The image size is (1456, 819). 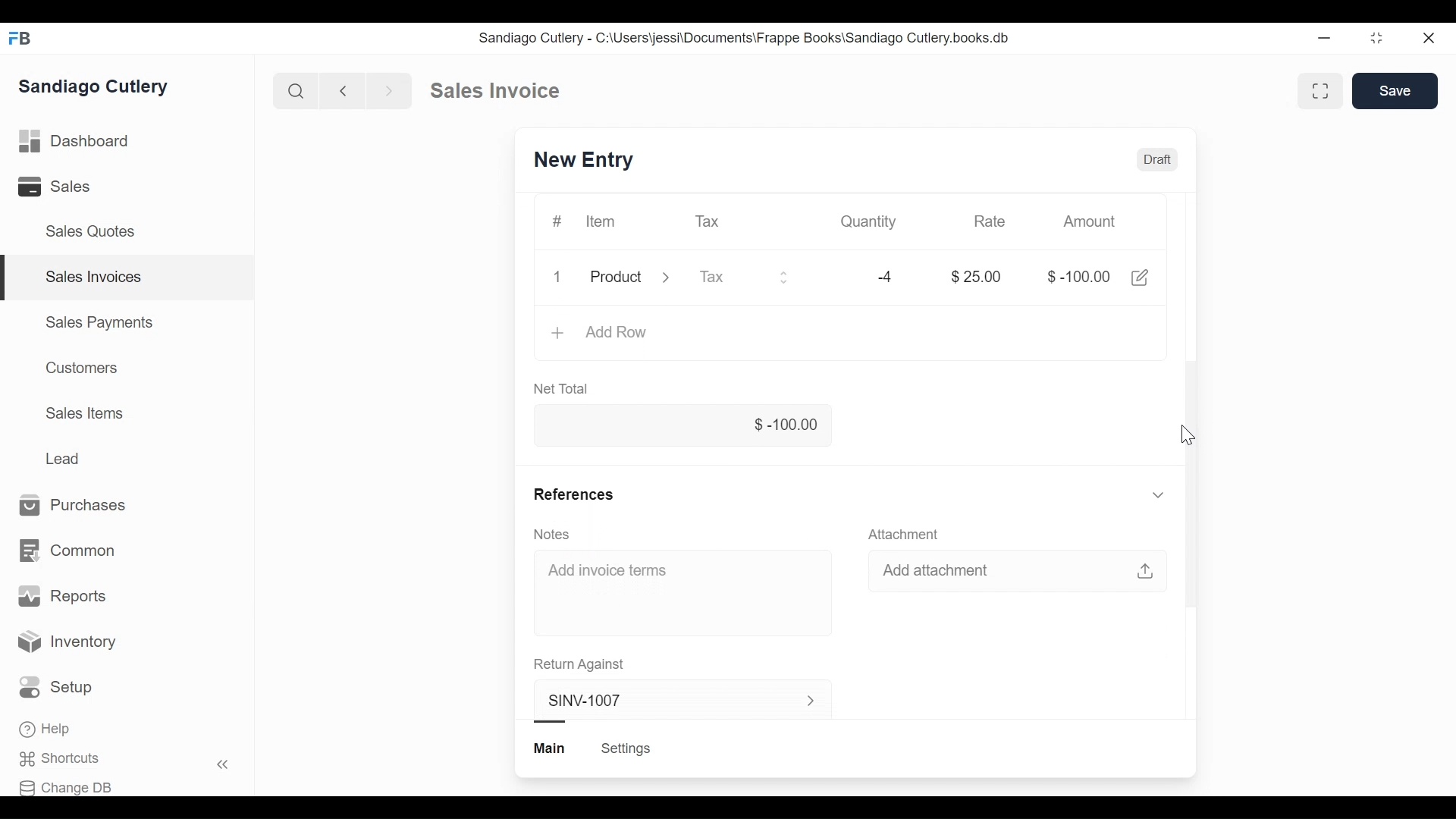 I want to click on Sandiago Cutlery - C:\Users\jessi\Documents\Frappe Books\Sandiago Cutlery.books.db, so click(x=745, y=39).